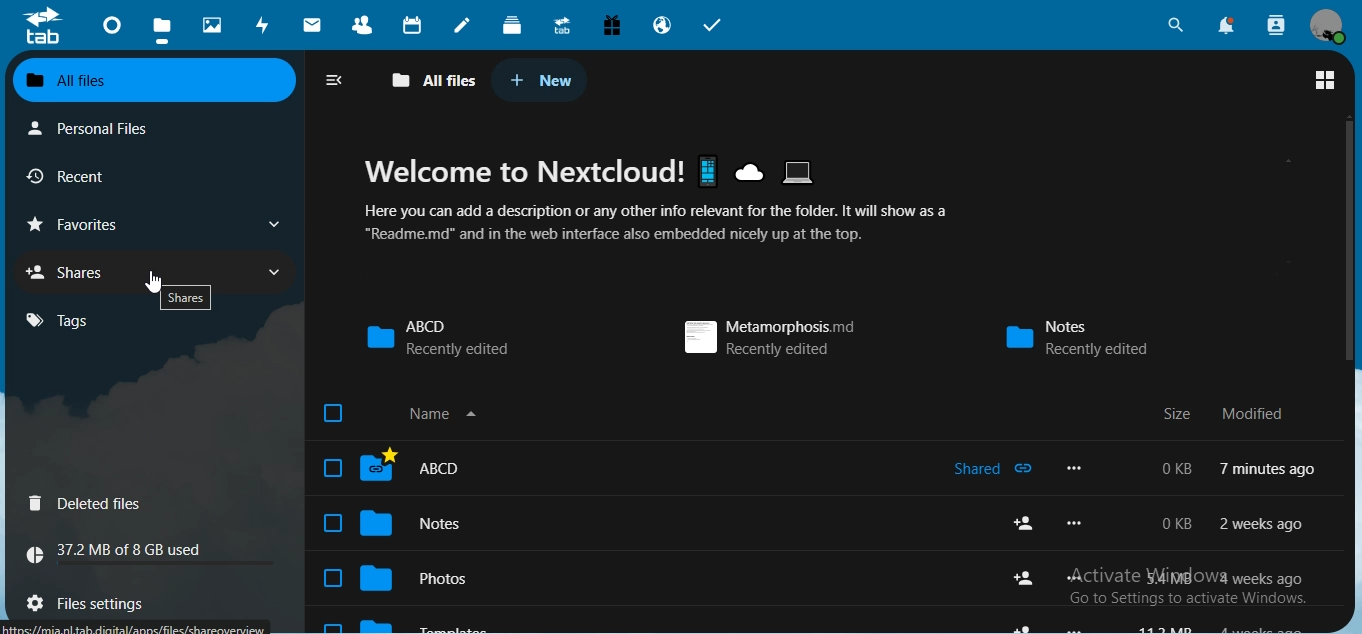 The width and height of the screenshot is (1362, 634). What do you see at coordinates (83, 225) in the screenshot?
I see `favourites` at bounding box center [83, 225].